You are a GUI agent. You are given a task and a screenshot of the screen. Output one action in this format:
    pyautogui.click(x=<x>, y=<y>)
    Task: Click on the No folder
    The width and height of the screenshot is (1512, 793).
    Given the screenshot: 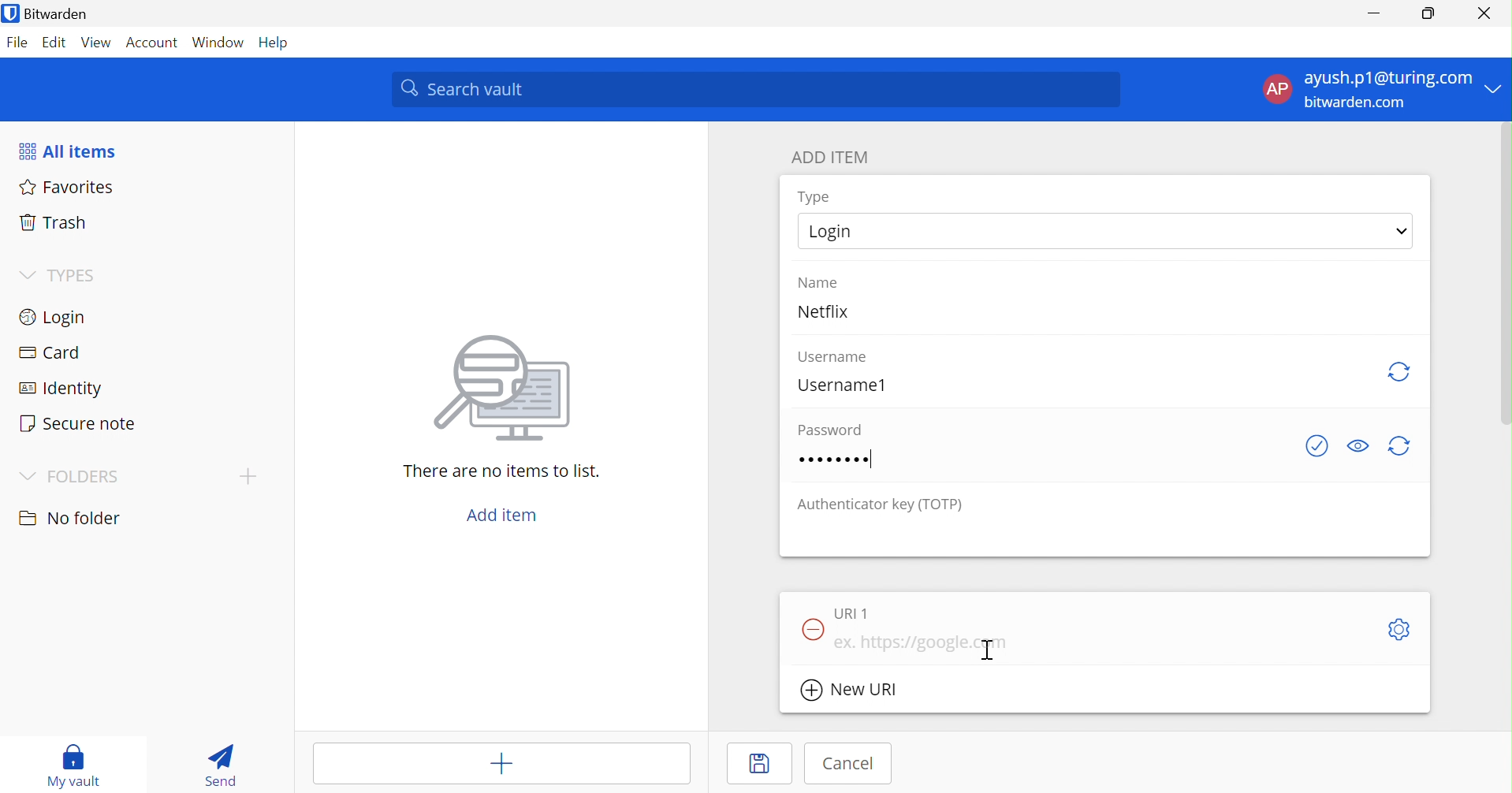 What is the action you would take?
    pyautogui.click(x=70, y=518)
    